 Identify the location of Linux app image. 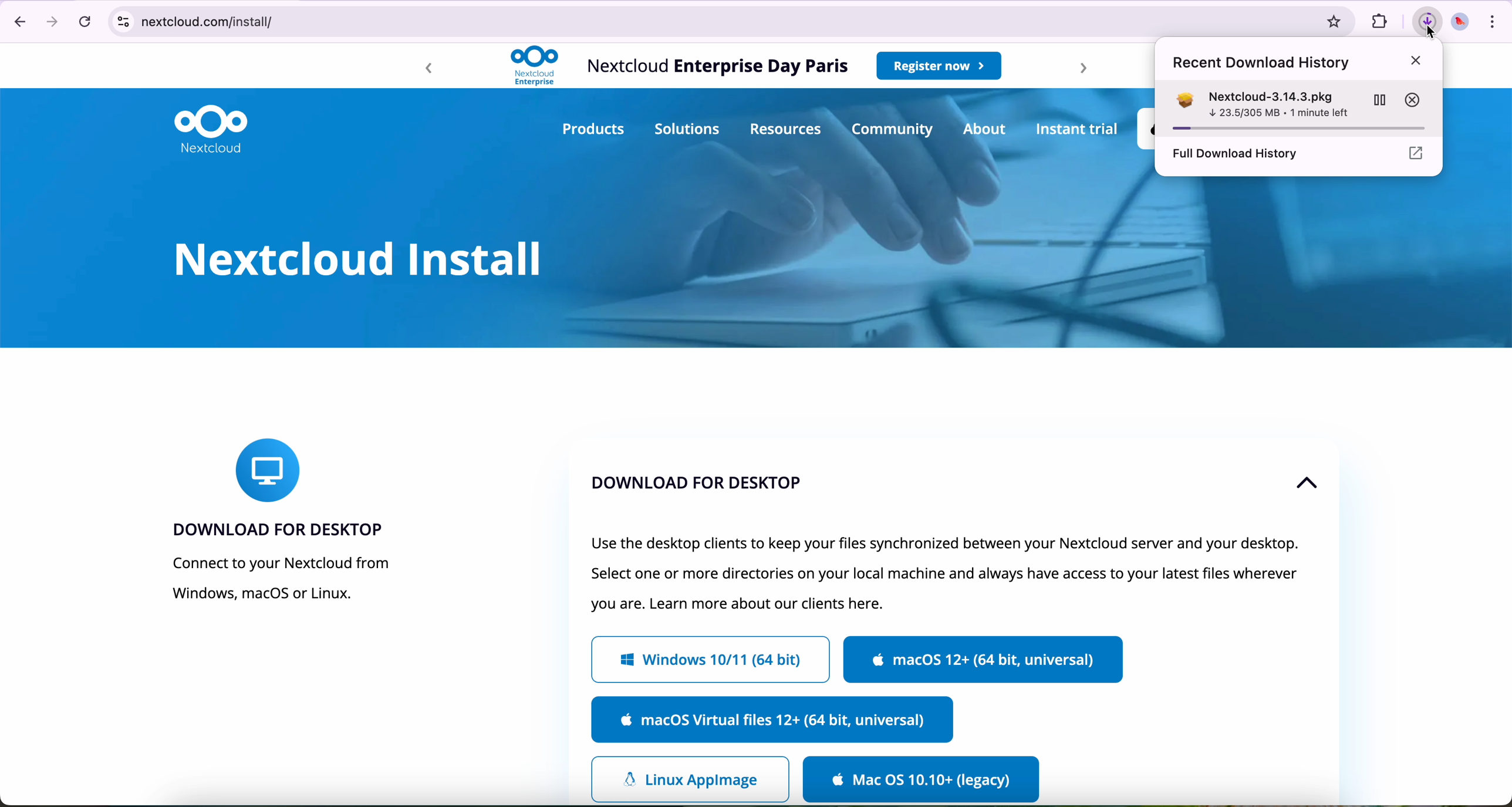
(689, 778).